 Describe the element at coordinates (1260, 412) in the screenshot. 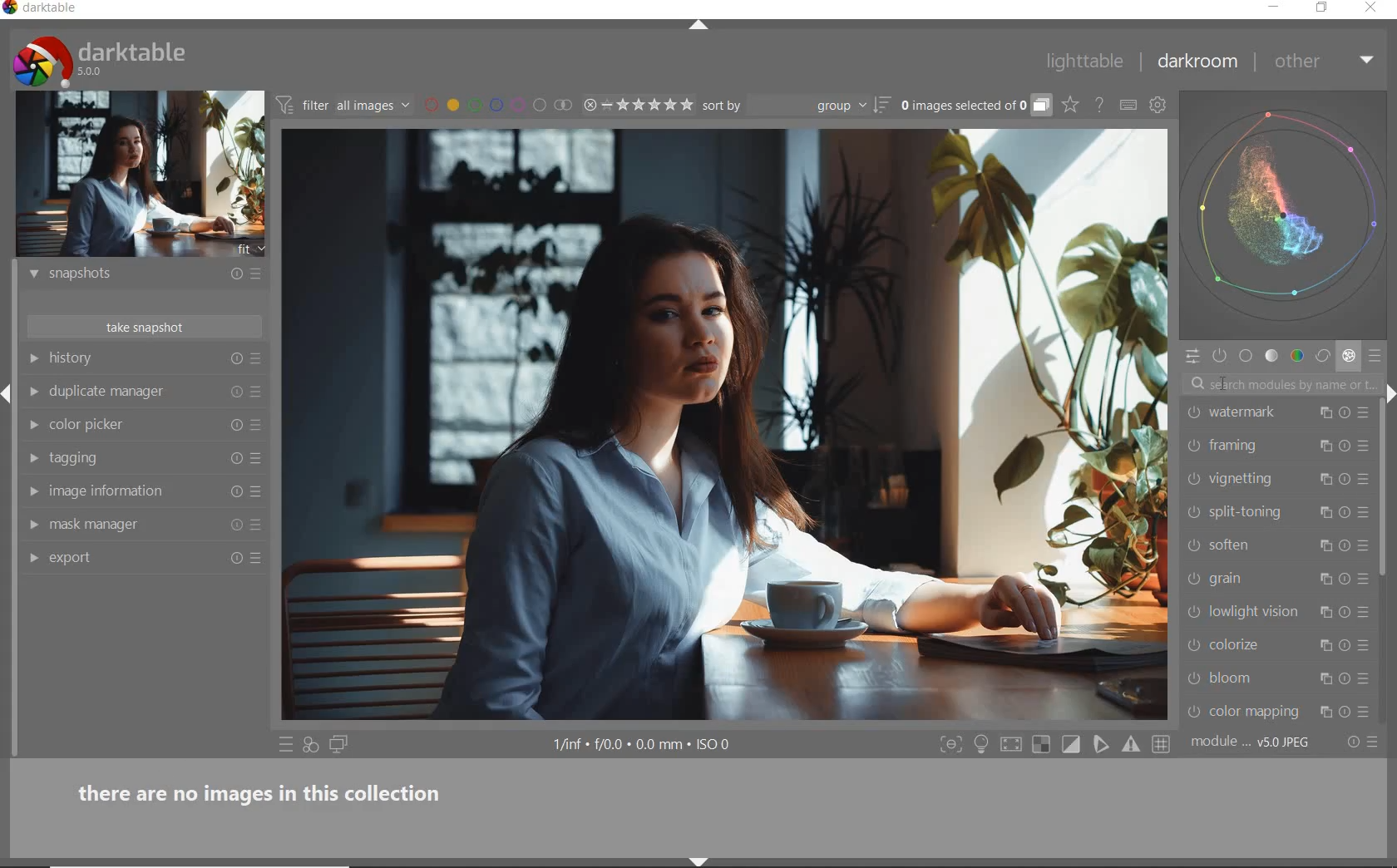

I see `watermark` at that location.